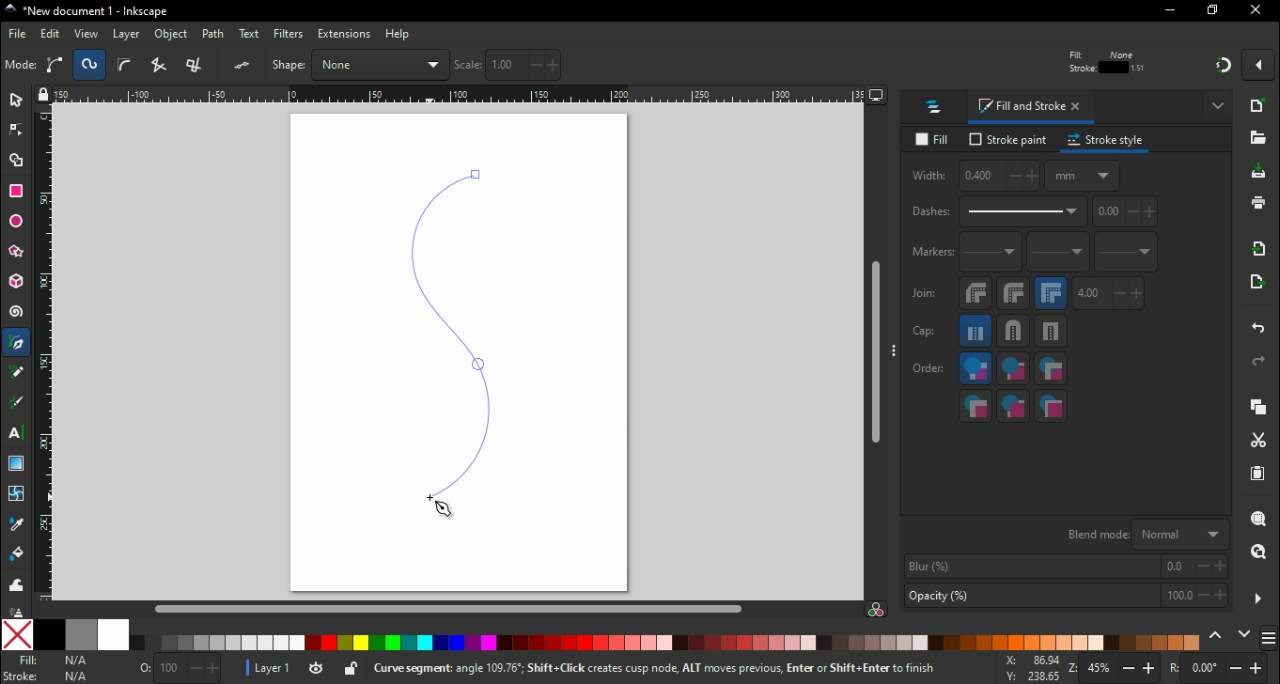  Describe the element at coordinates (1127, 215) in the screenshot. I see `pattern offset` at that location.